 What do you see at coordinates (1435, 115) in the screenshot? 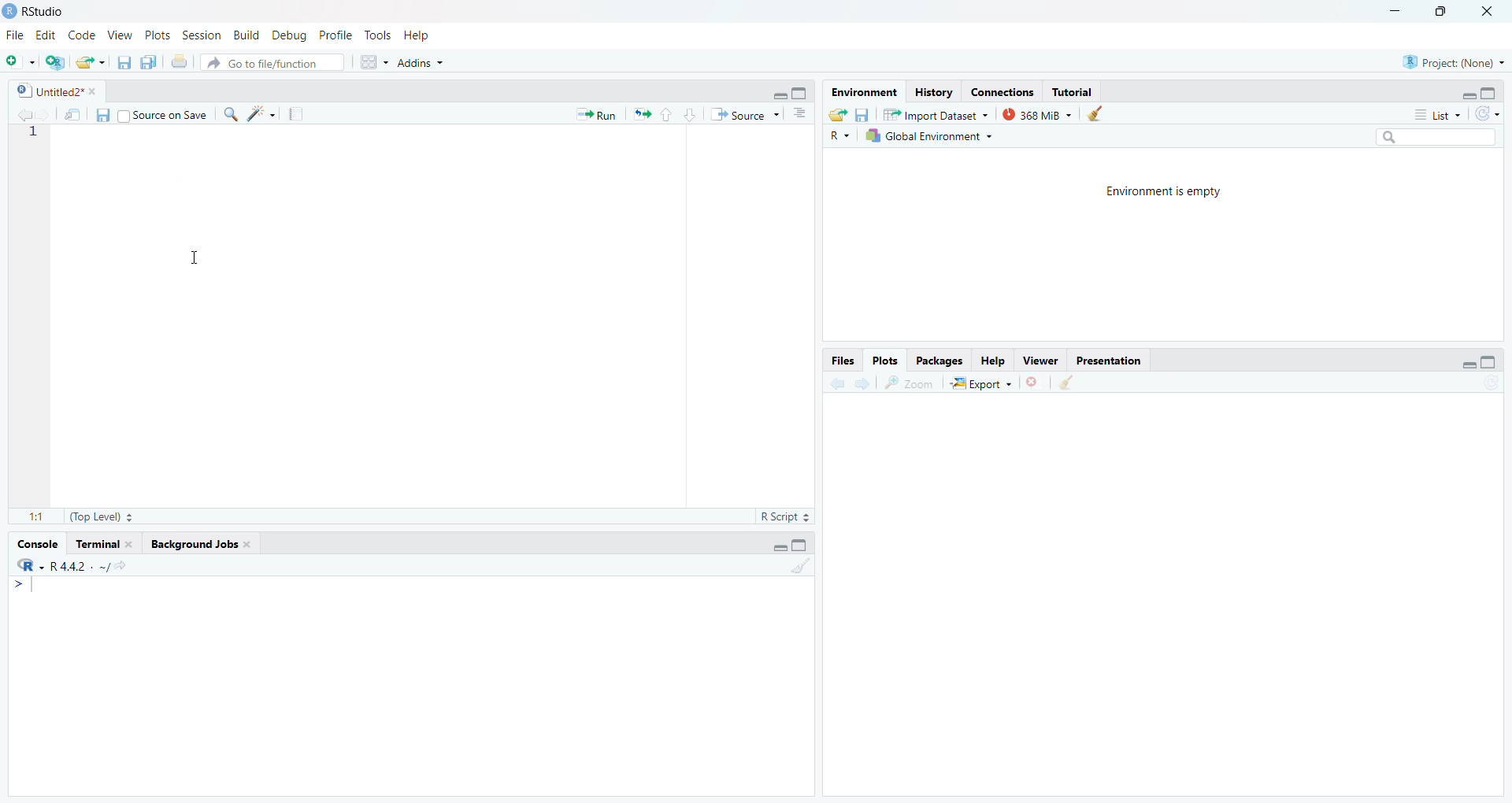
I see `List -` at bounding box center [1435, 115].